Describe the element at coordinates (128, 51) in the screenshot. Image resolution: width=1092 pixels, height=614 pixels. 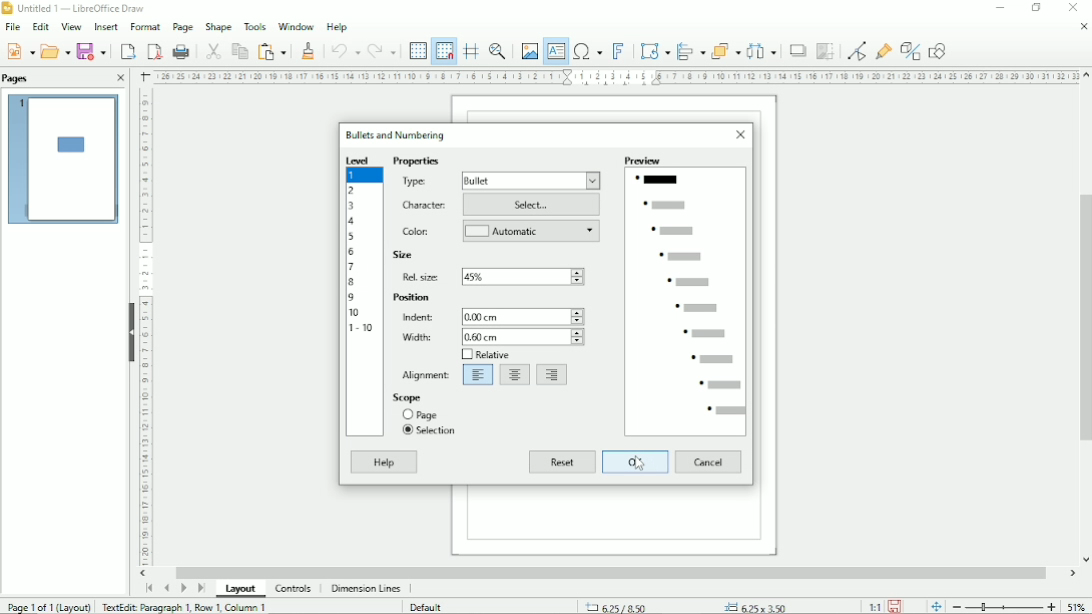
I see `export` at that location.